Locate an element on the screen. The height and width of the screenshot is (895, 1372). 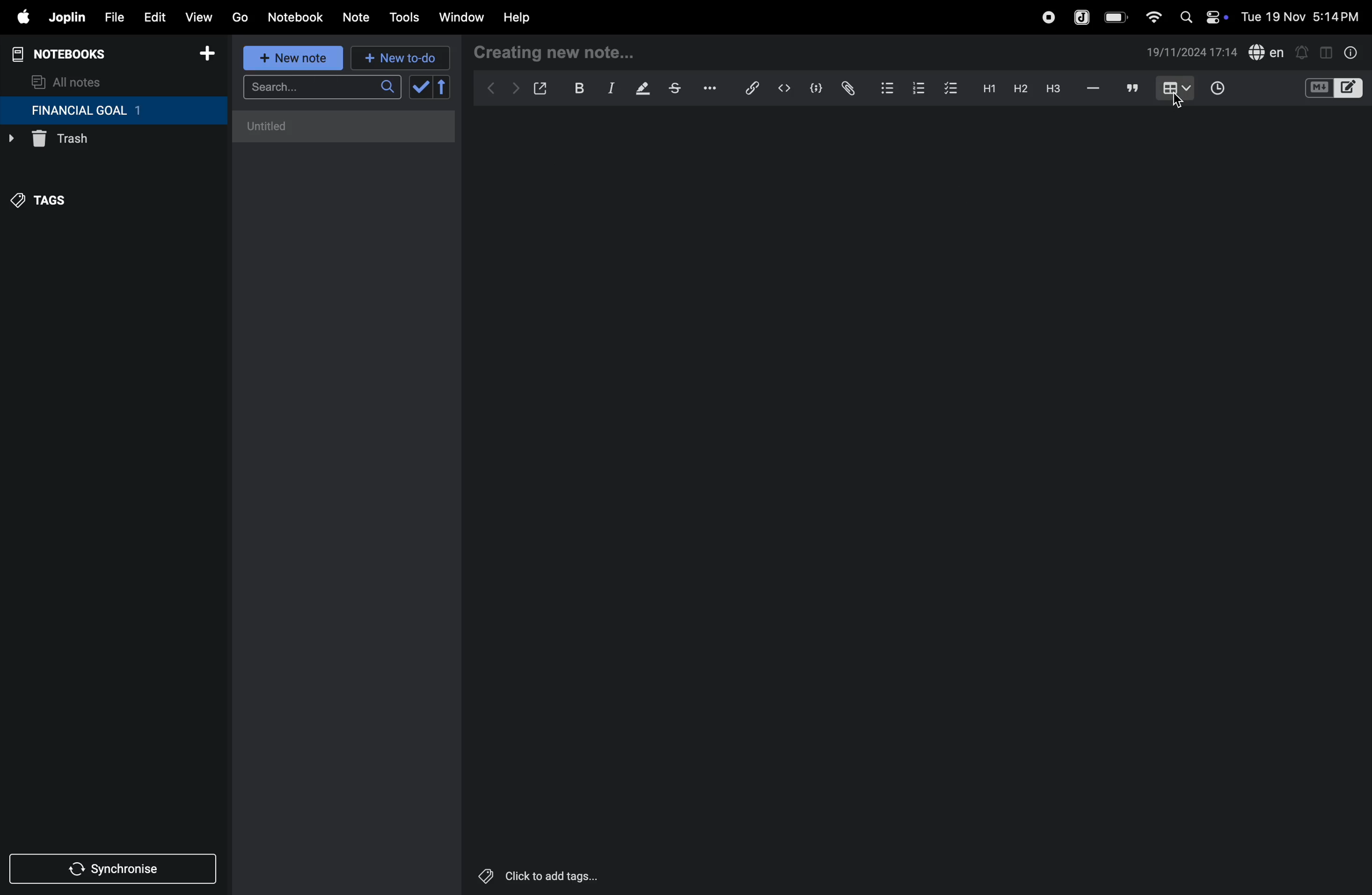
insert code is located at coordinates (785, 88).